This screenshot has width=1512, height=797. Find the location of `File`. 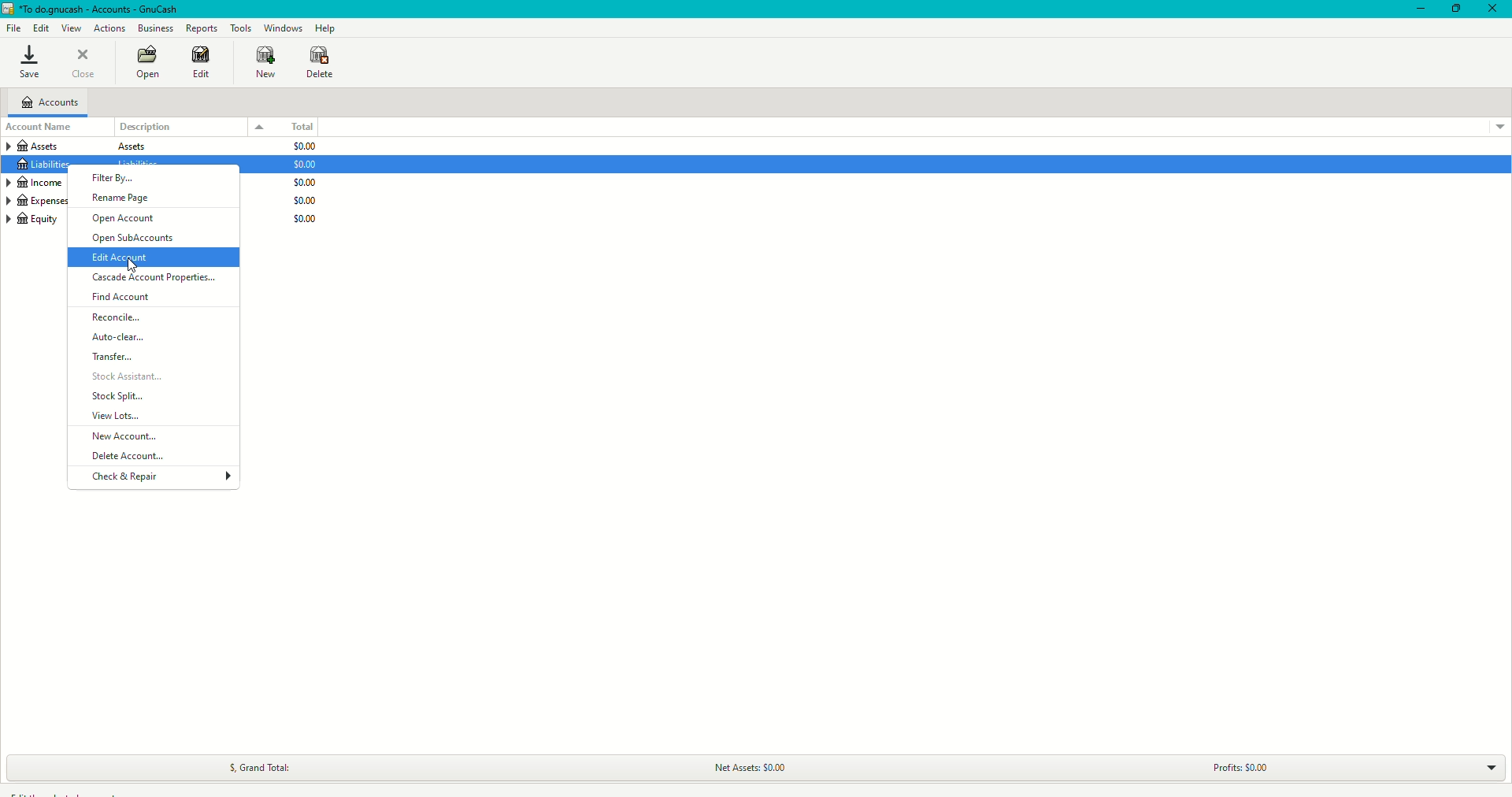

File is located at coordinates (13, 28).